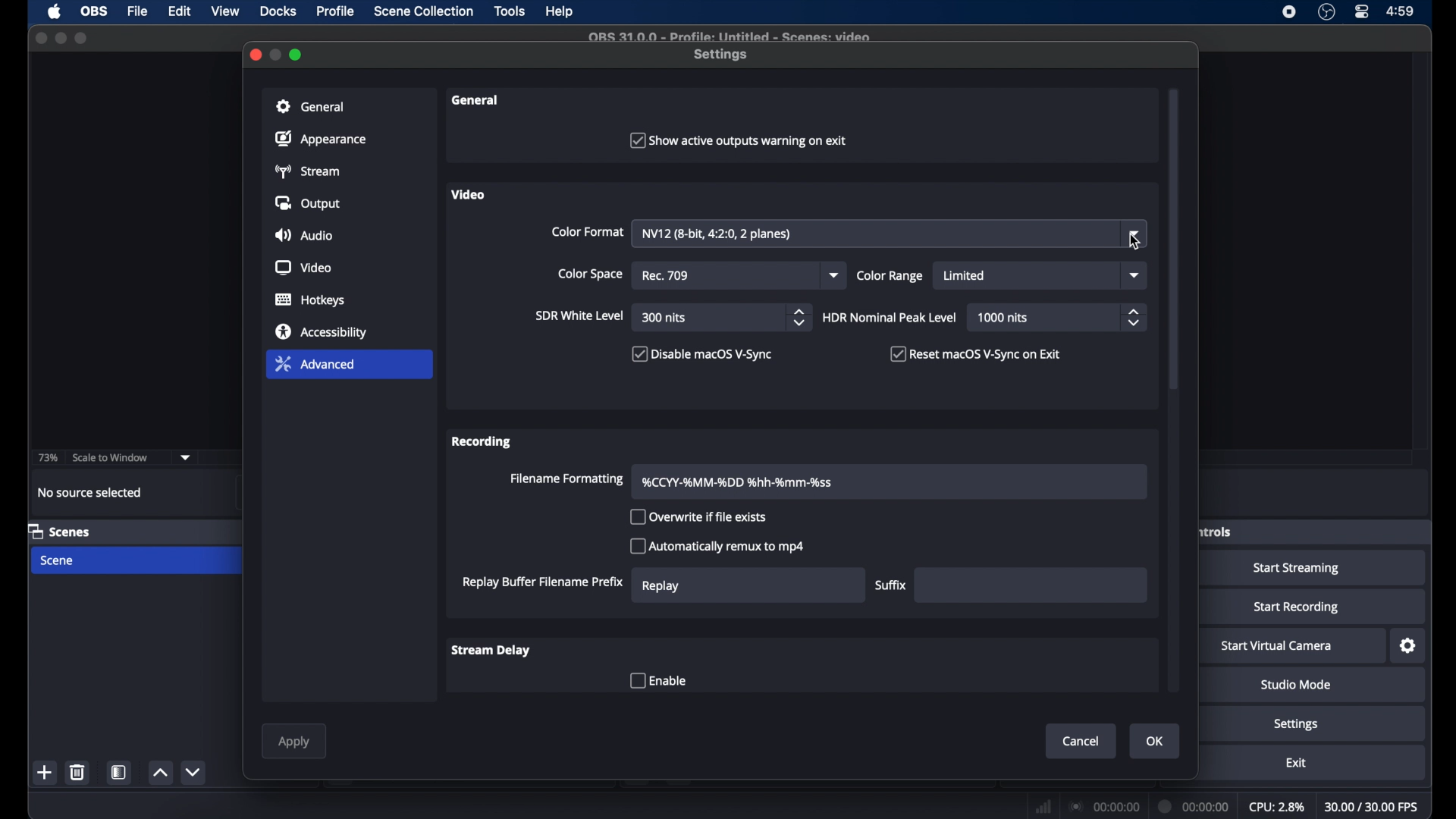  Describe the element at coordinates (350, 105) in the screenshot. I see `general` at that location.